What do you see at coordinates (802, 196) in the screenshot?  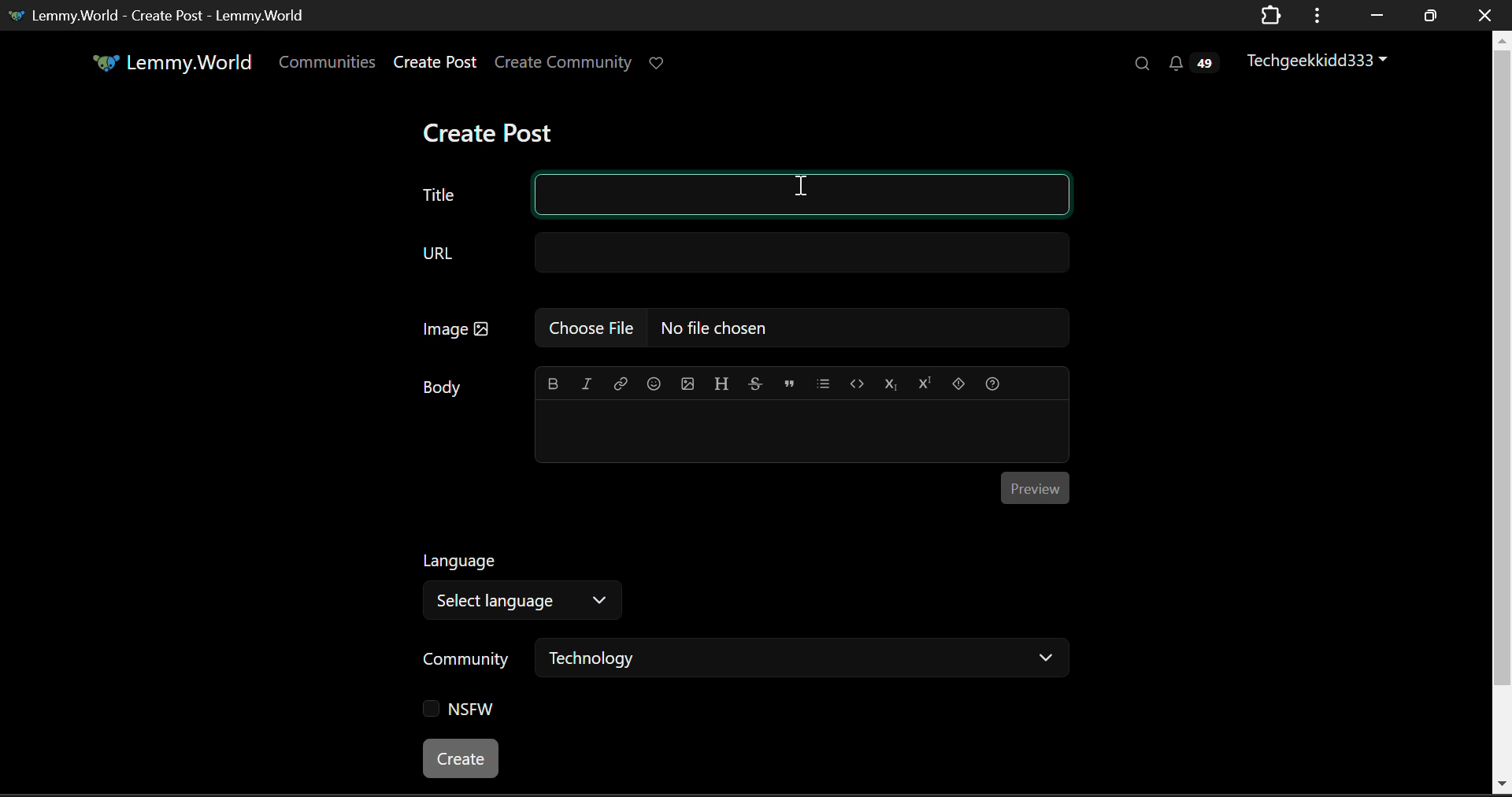 I see `Textbox Selected for Typing` at bounding box center [802, 196].